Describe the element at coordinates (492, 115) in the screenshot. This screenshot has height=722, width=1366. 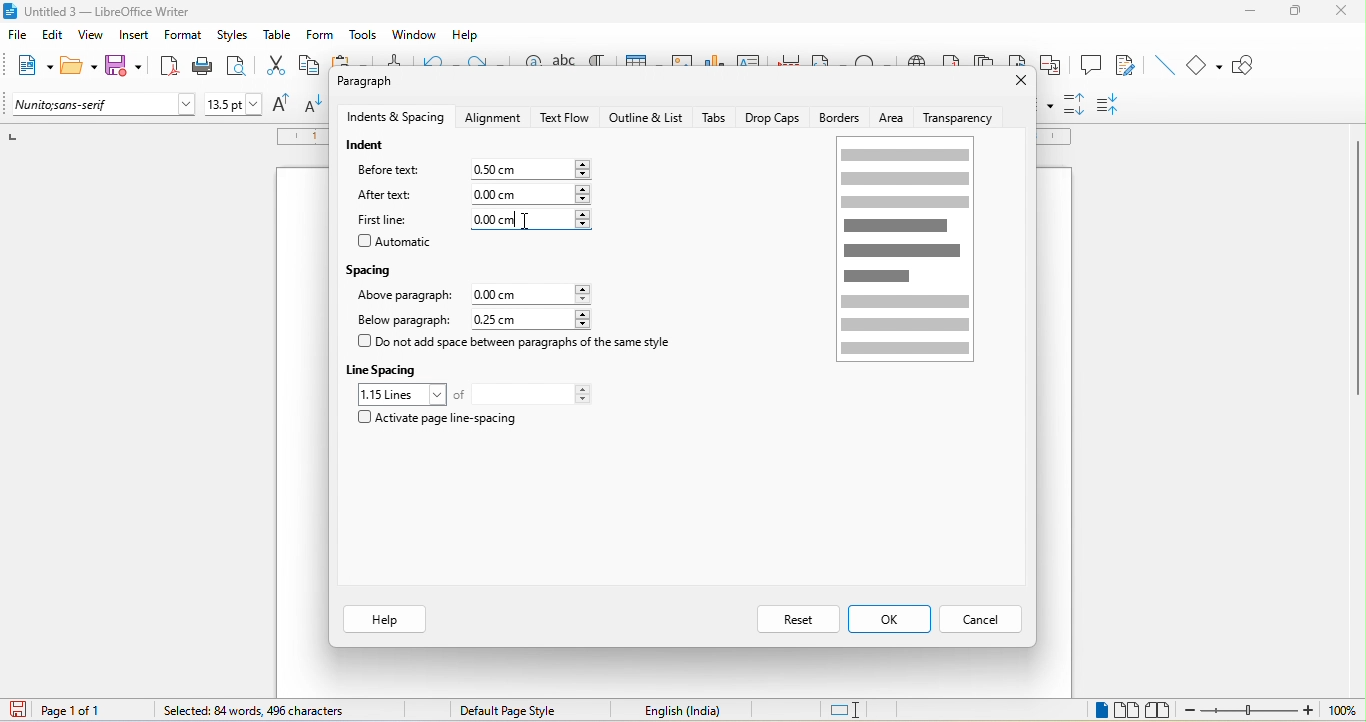
I see `alignment` at that location.